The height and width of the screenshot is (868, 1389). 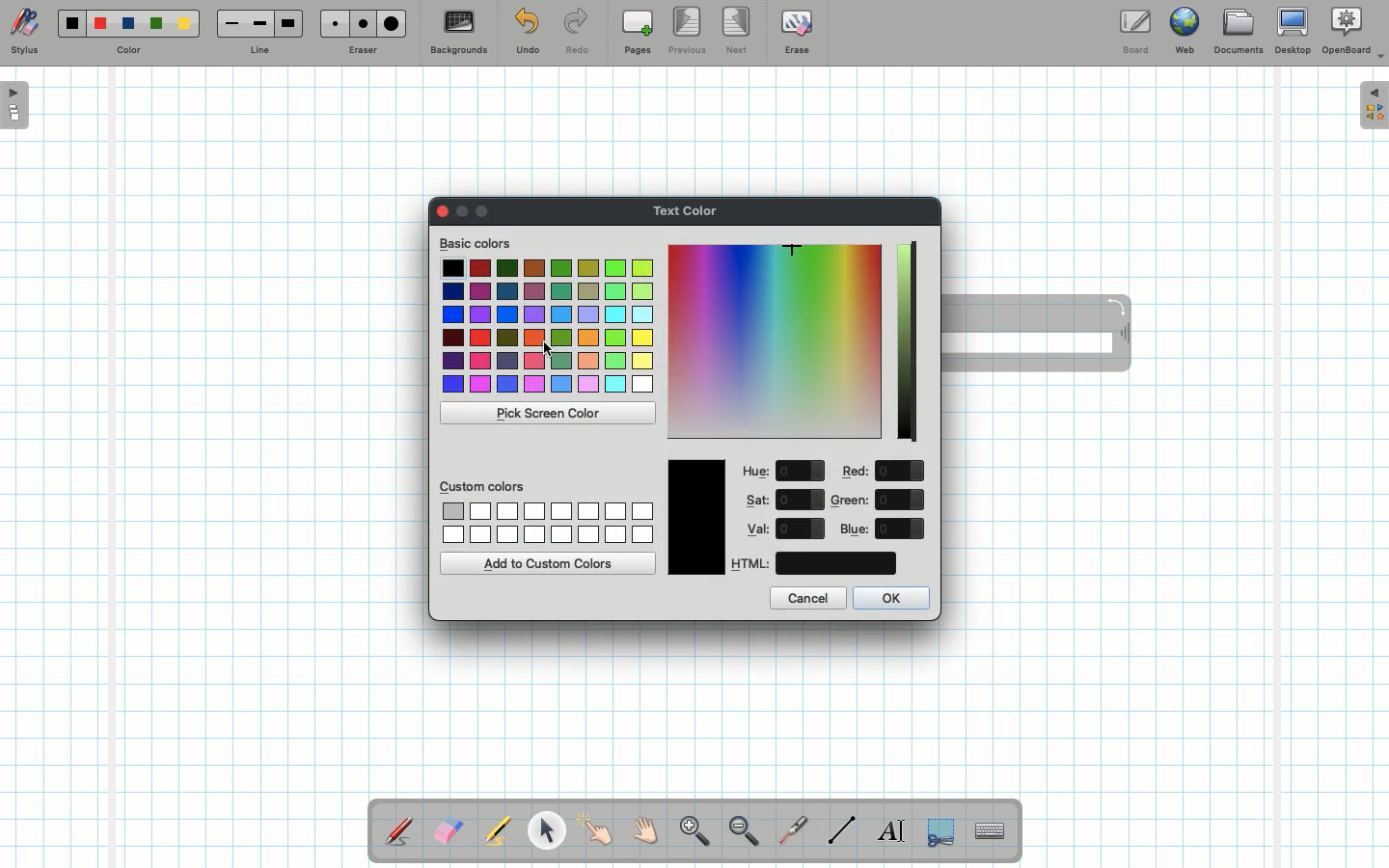 What do you see at coordinates (758, 529) in the screenshot?
I see `Val` at bounding box center [758, 529].